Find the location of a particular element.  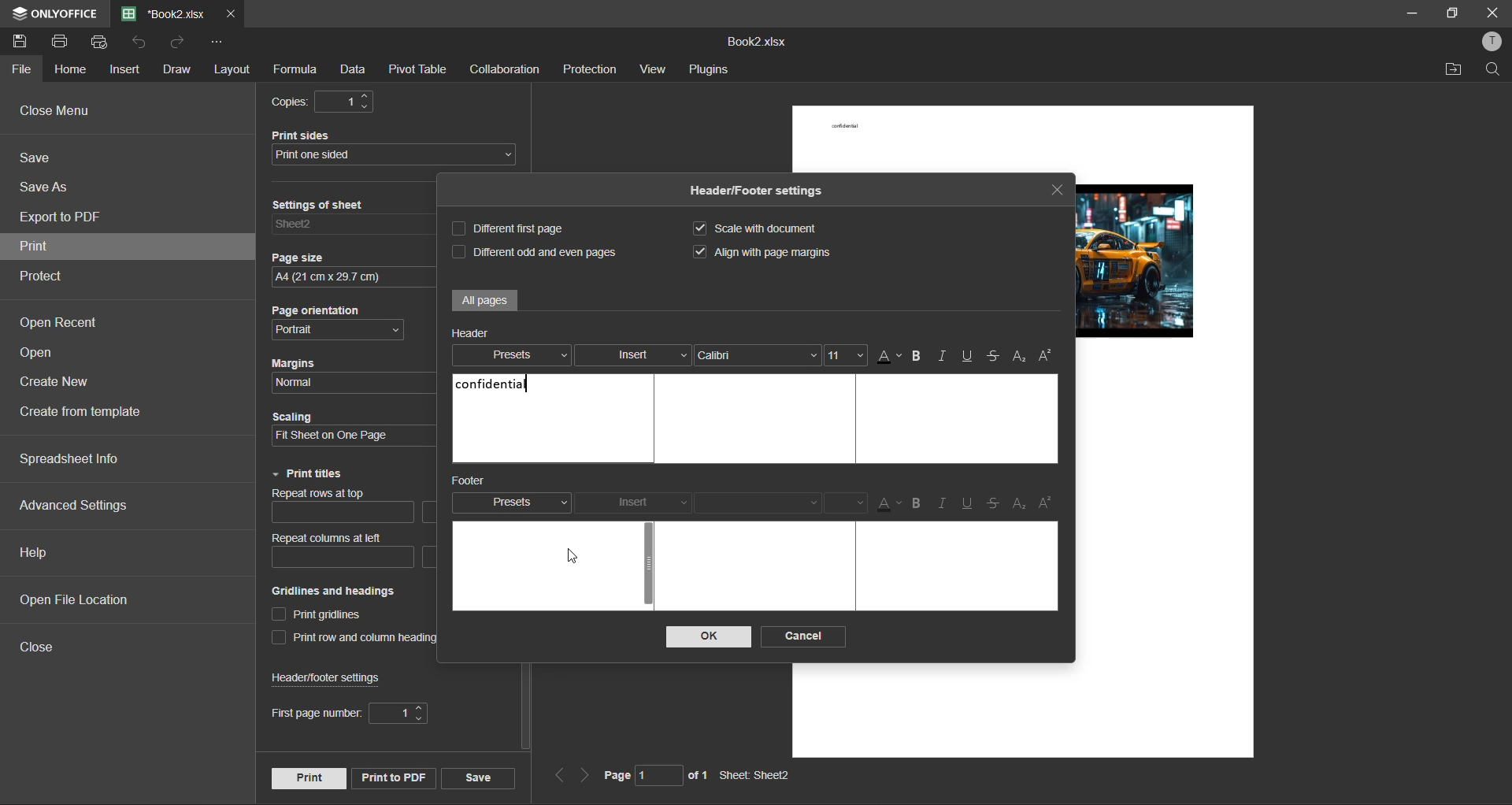

margins is located at coordinates (350, 383).